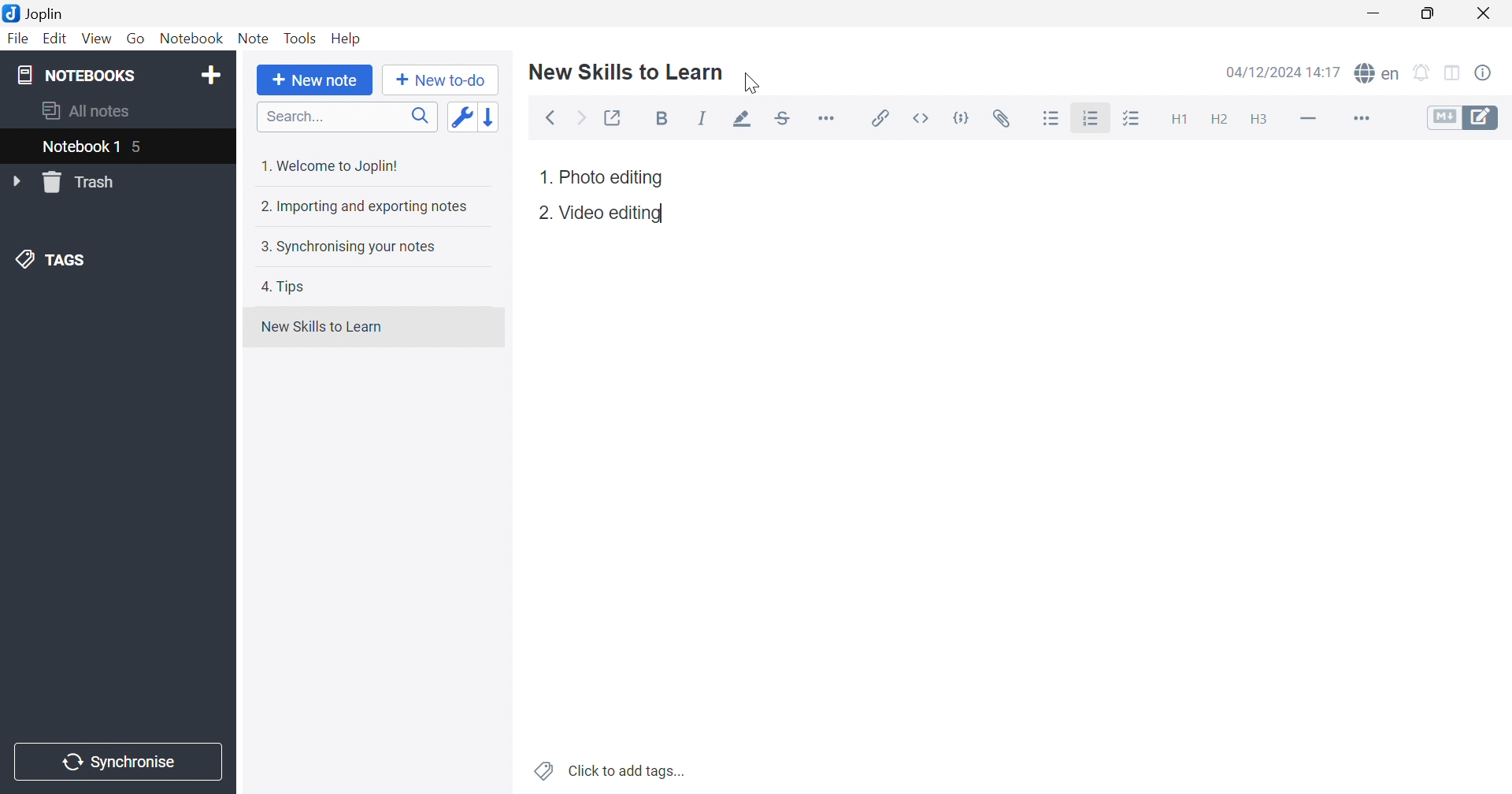 The height and width of the screenshot is (794, 1512). What do you see at coordinates (1483, 73) in the screenshot?
I see `Note properties` at bounding box center [1483, 73].